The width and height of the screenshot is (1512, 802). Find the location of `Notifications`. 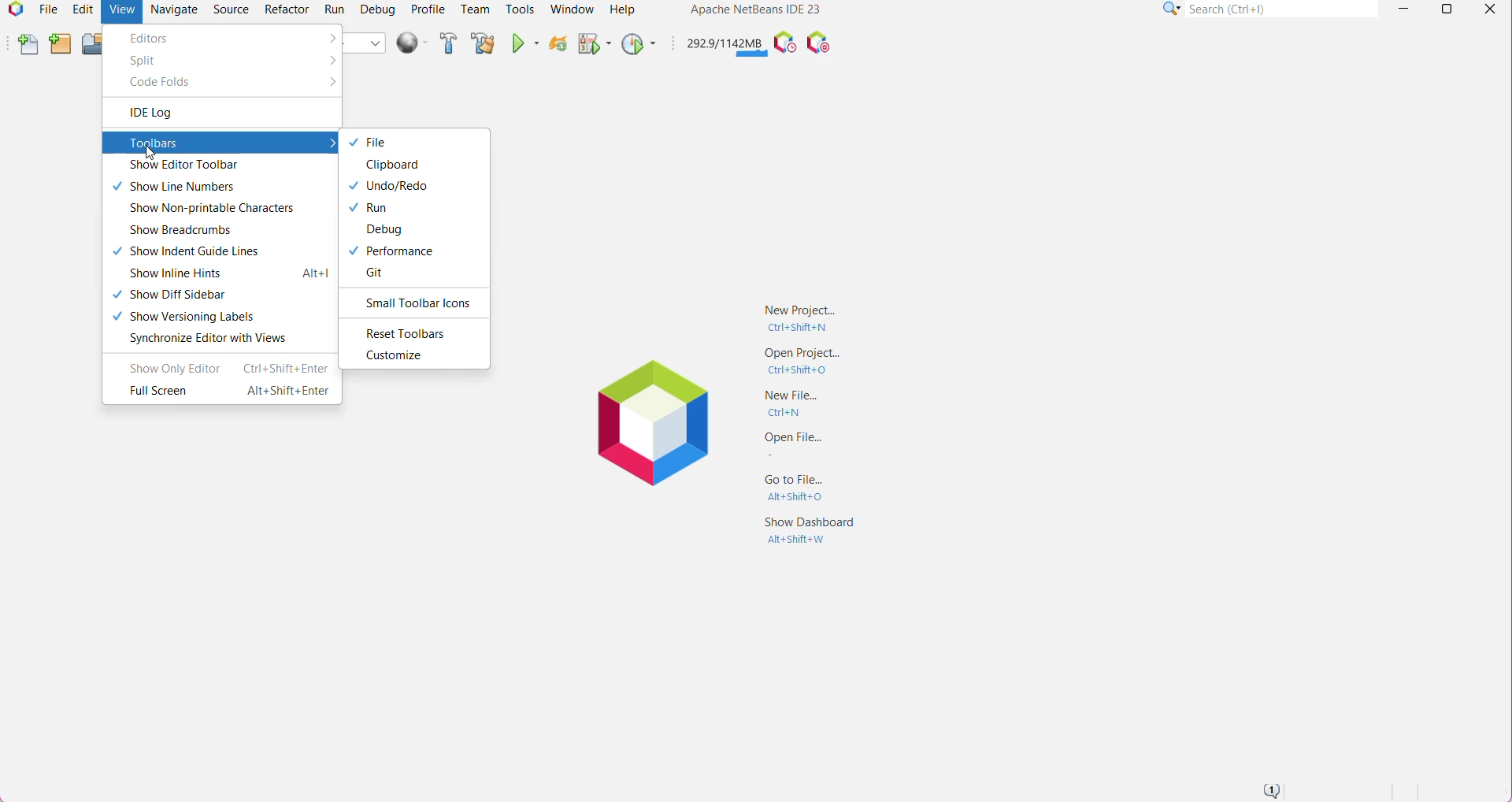

Notifications is located at coordinates (1270, 790).